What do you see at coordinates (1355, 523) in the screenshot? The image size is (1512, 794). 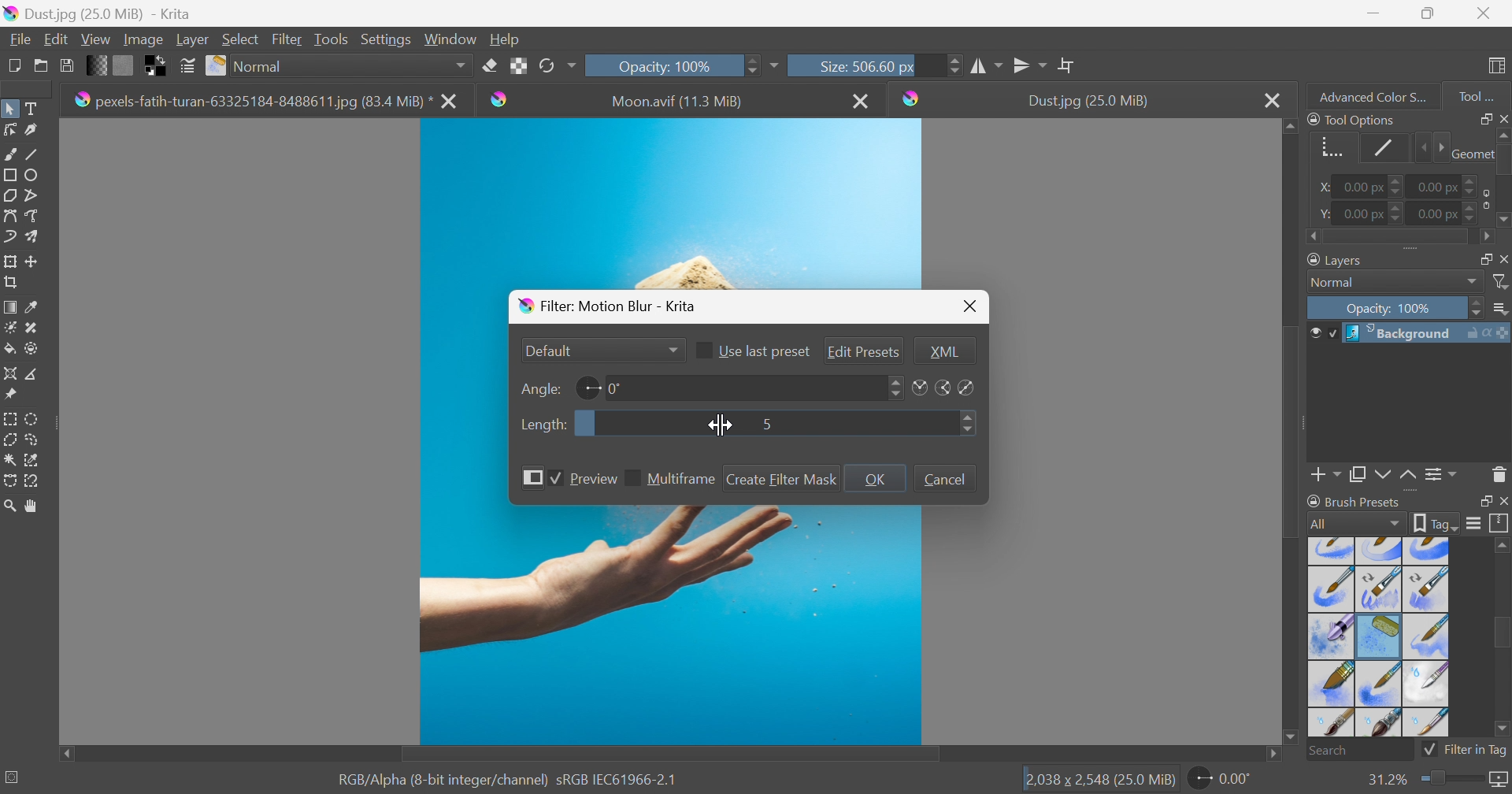 I see `All` at bounding box center [1355, 523].